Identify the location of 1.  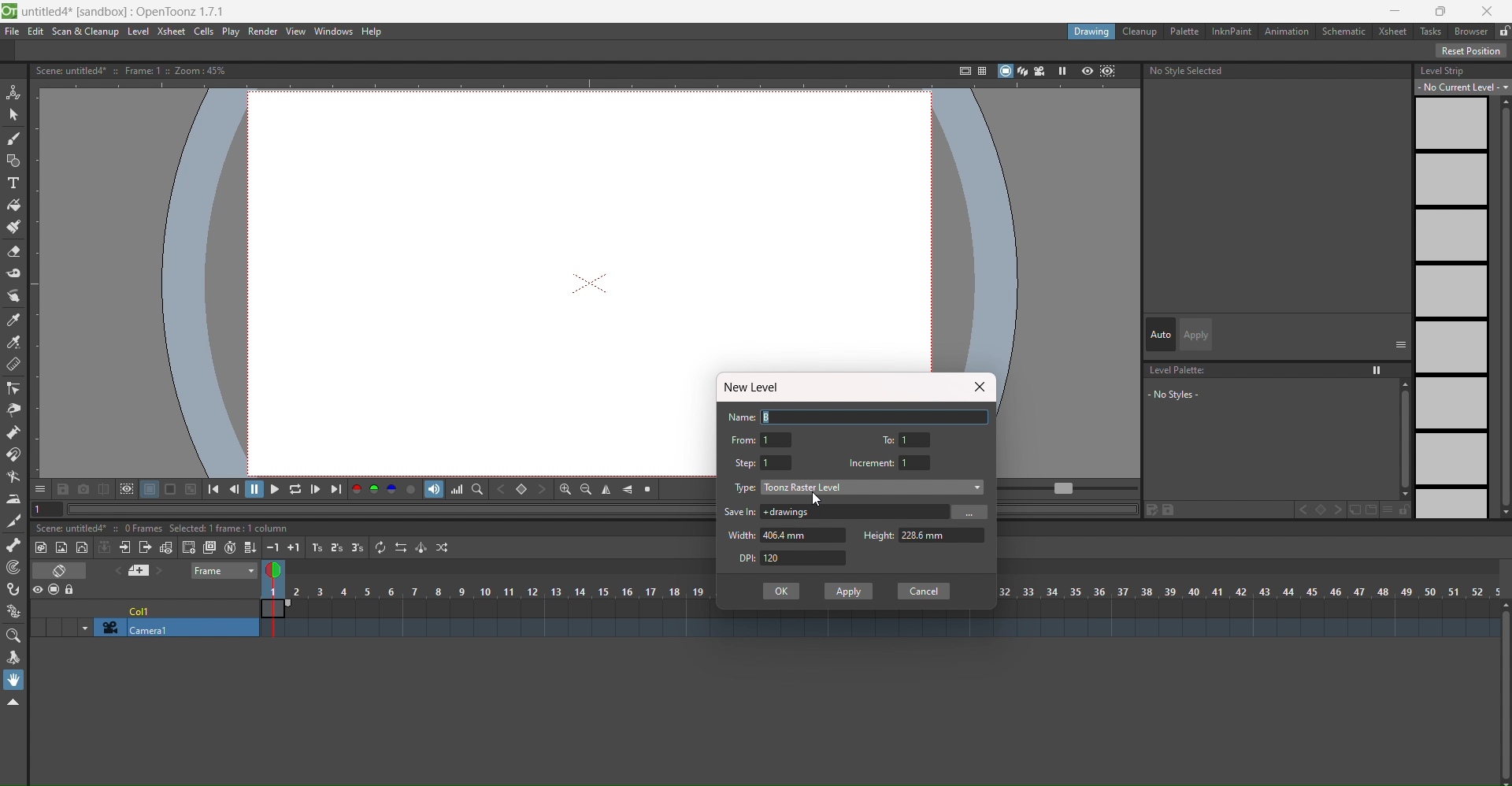
(777, 439).